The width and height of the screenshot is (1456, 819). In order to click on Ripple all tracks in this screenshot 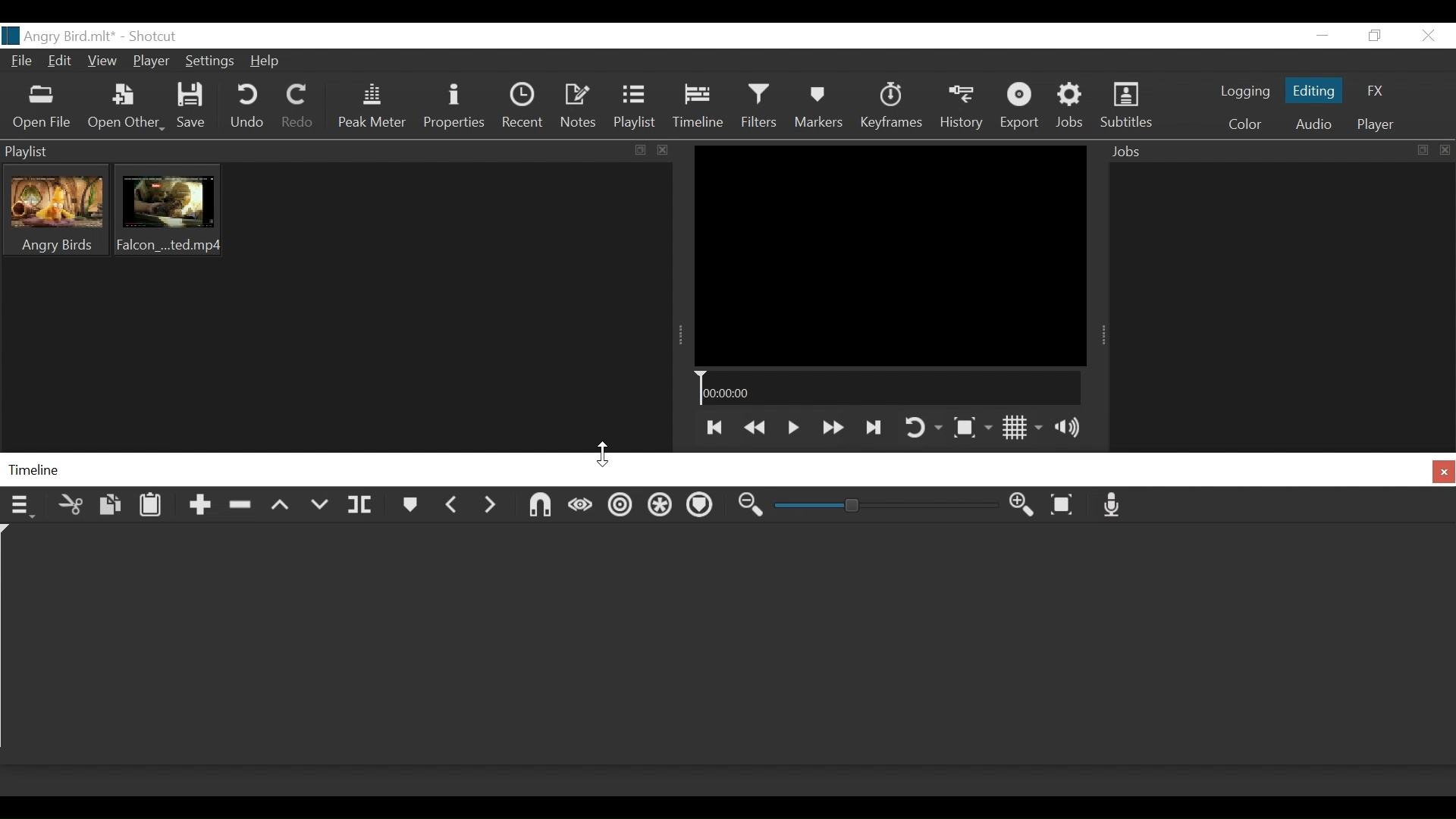, I will do `click(661, 508)`.